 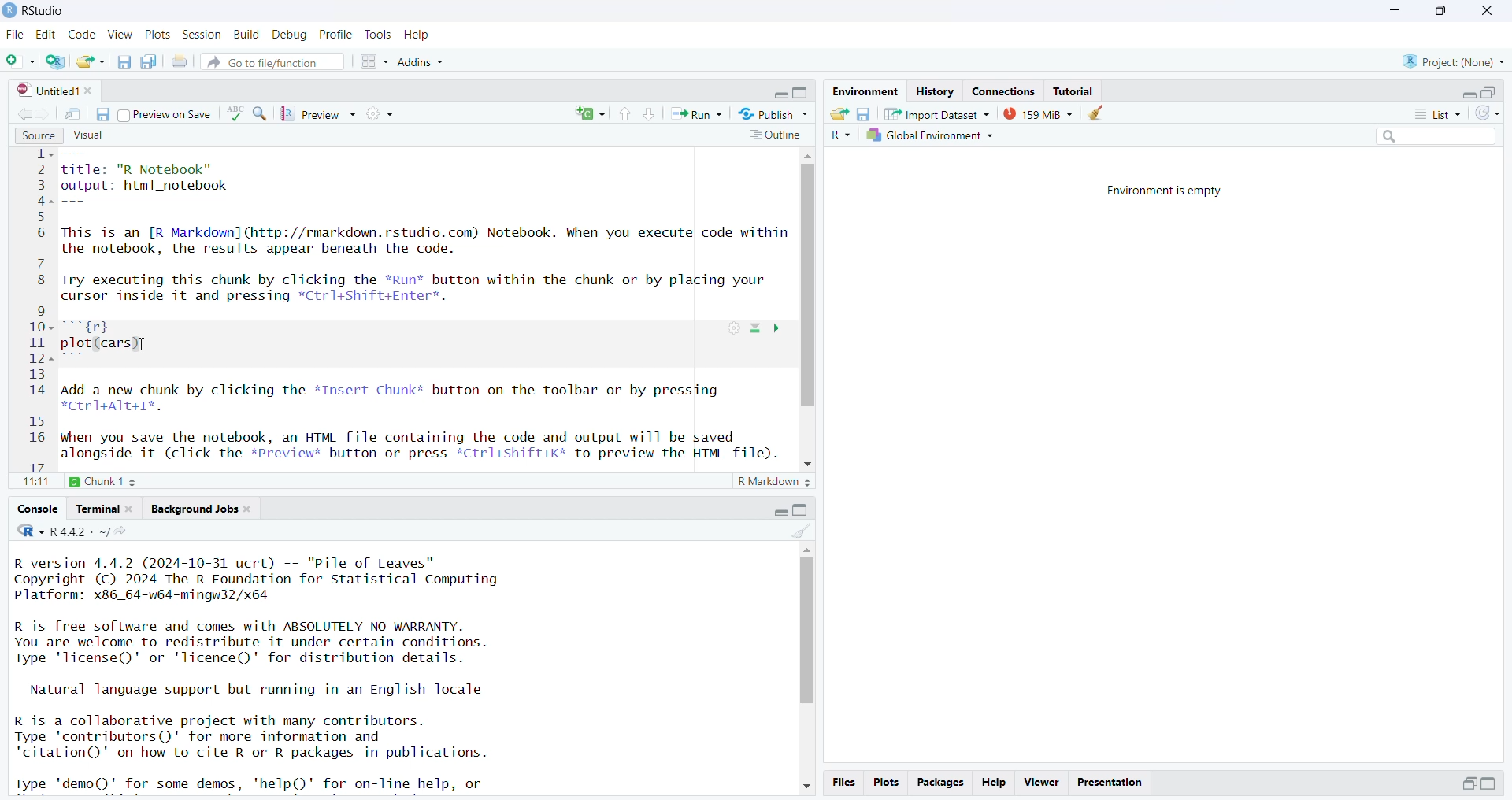 What do you see at coordinates (1075, 91) in the screenshot?
I see `tutorial` at bounding box center [1075, 91].